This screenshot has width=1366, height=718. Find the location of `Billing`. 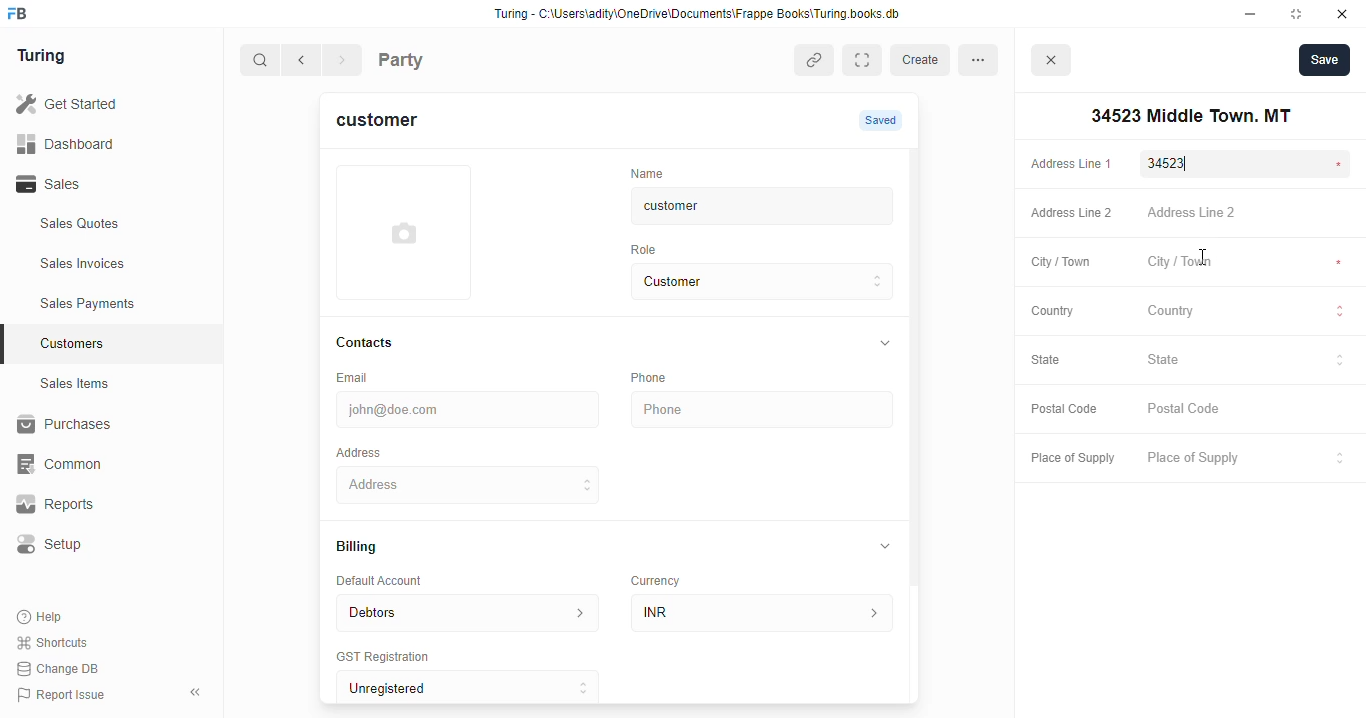

Billing is located at coordinates (366, 548).